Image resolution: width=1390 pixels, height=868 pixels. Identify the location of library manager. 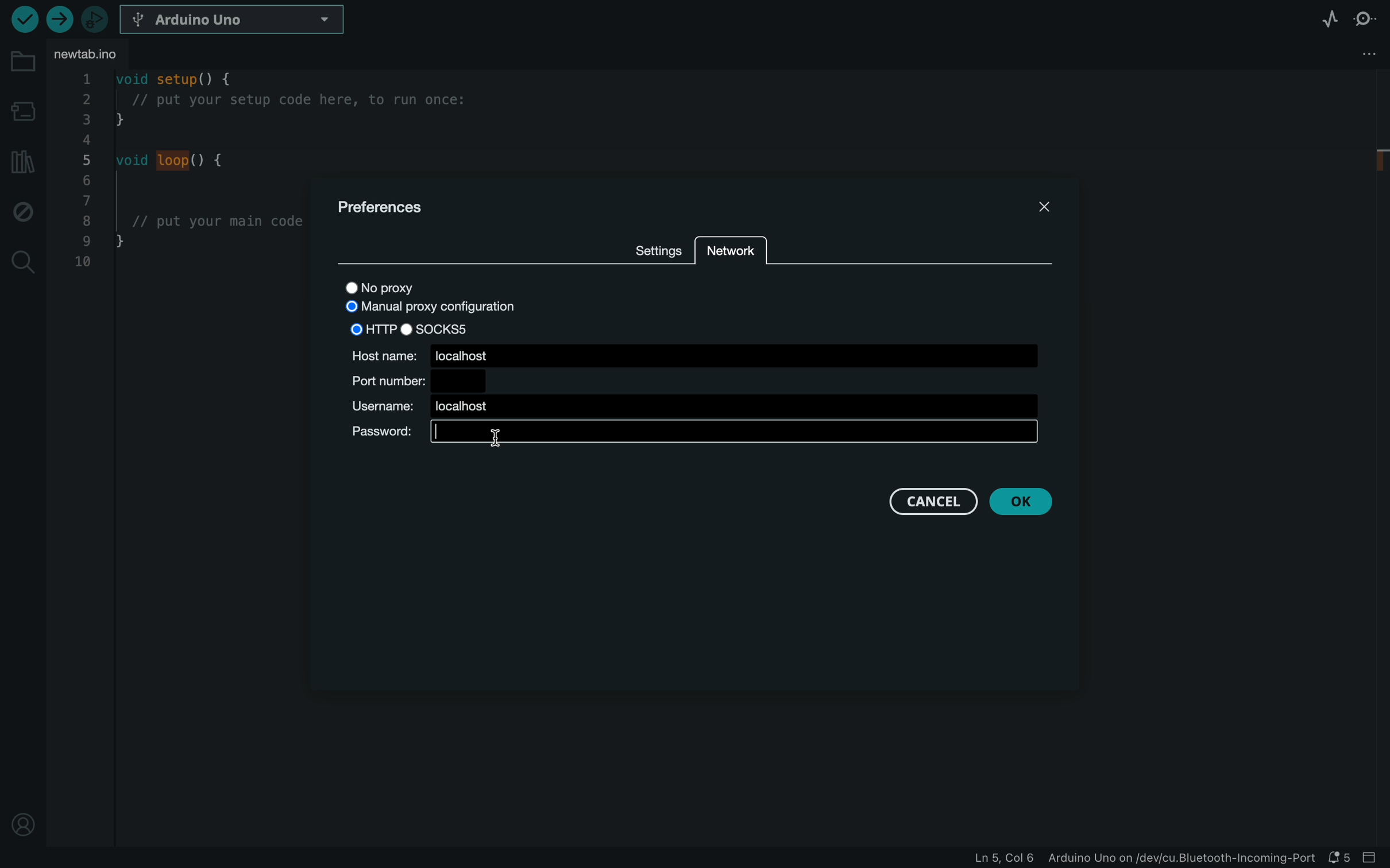
(22, 163).